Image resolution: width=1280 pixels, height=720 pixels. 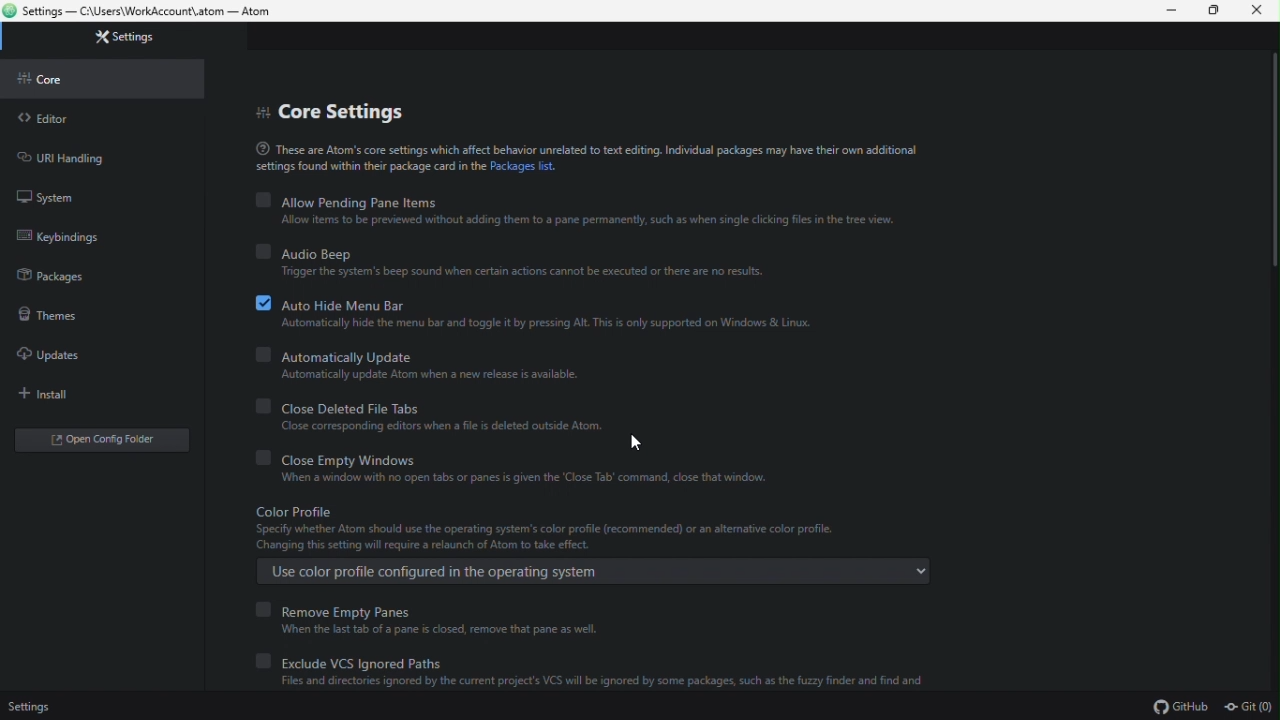 What do you see at coordinates (150, 13) in the screenshot?
I see `Settings - C:\users\workAccount\.atom - Atom` at bounding box center [150, 13].